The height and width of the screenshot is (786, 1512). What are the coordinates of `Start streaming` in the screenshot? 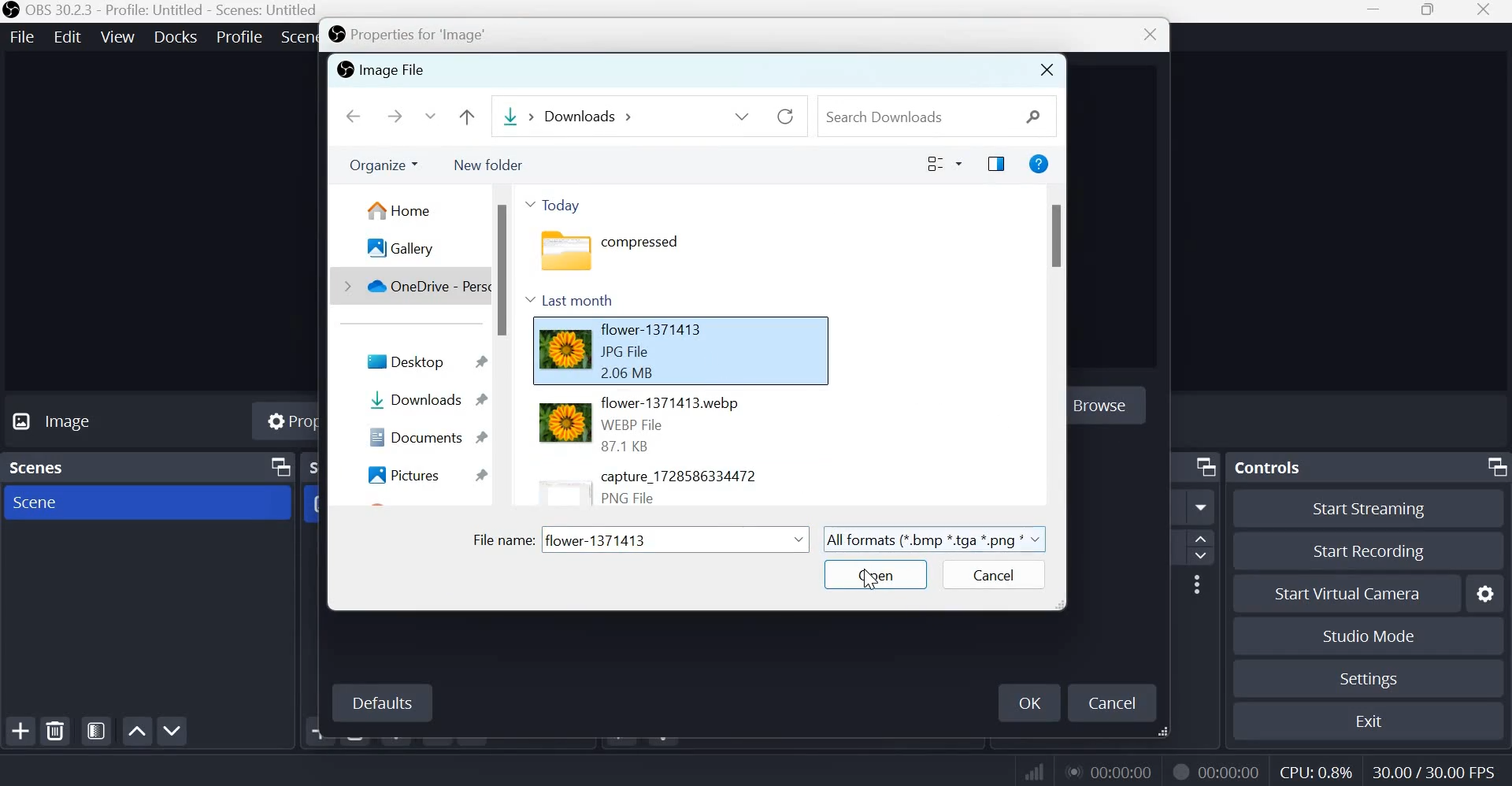 It's located at (1370, 510).